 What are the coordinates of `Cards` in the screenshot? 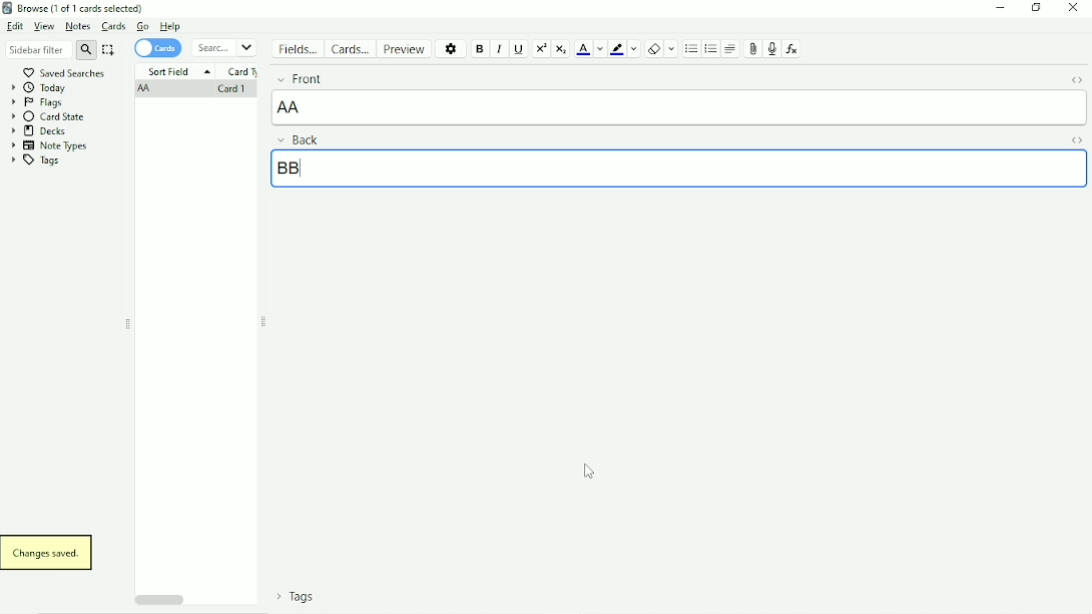 It's located at (115, 26).